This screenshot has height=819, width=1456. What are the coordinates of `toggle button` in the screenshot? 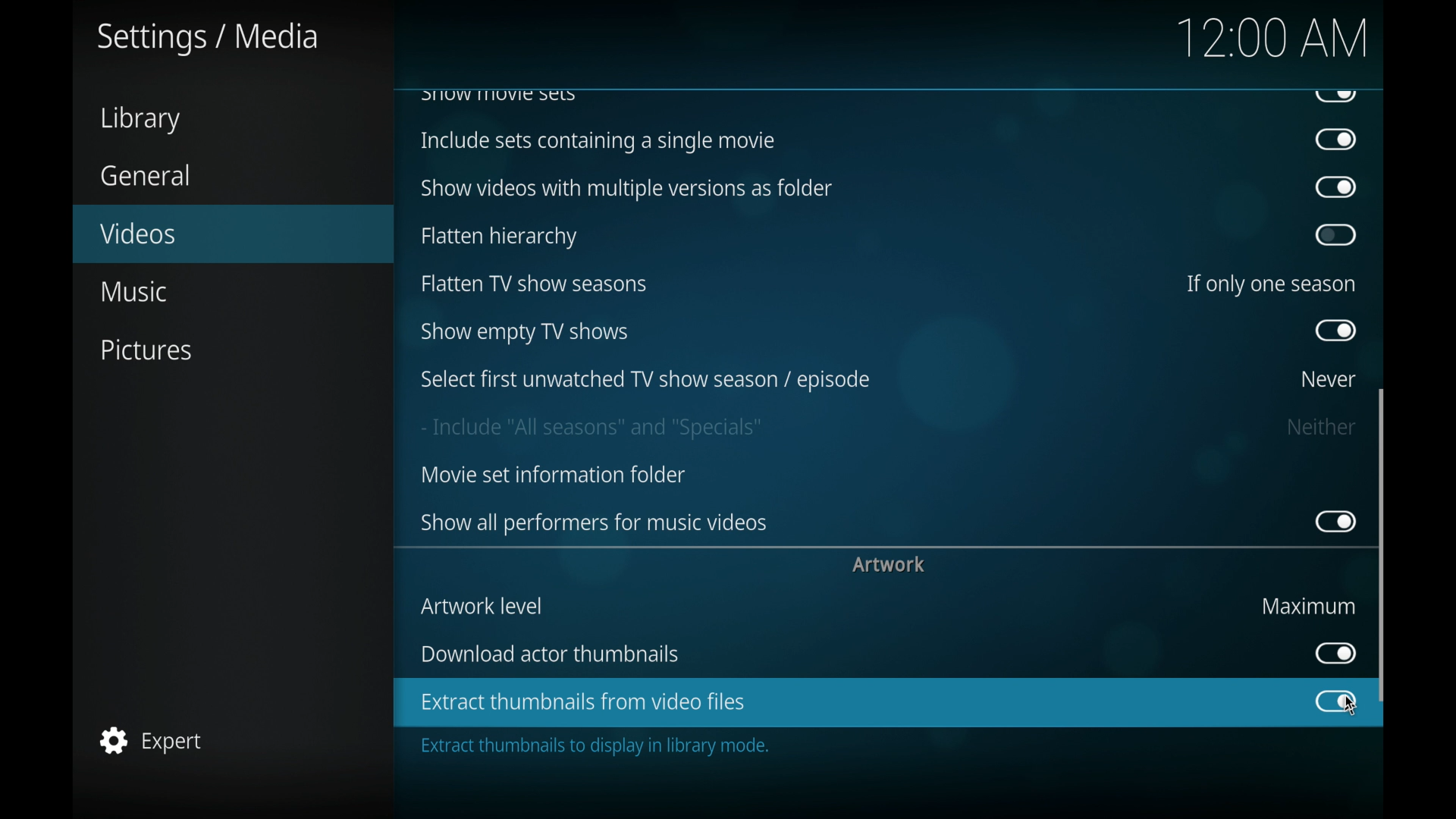 It's located at (1336, 522).